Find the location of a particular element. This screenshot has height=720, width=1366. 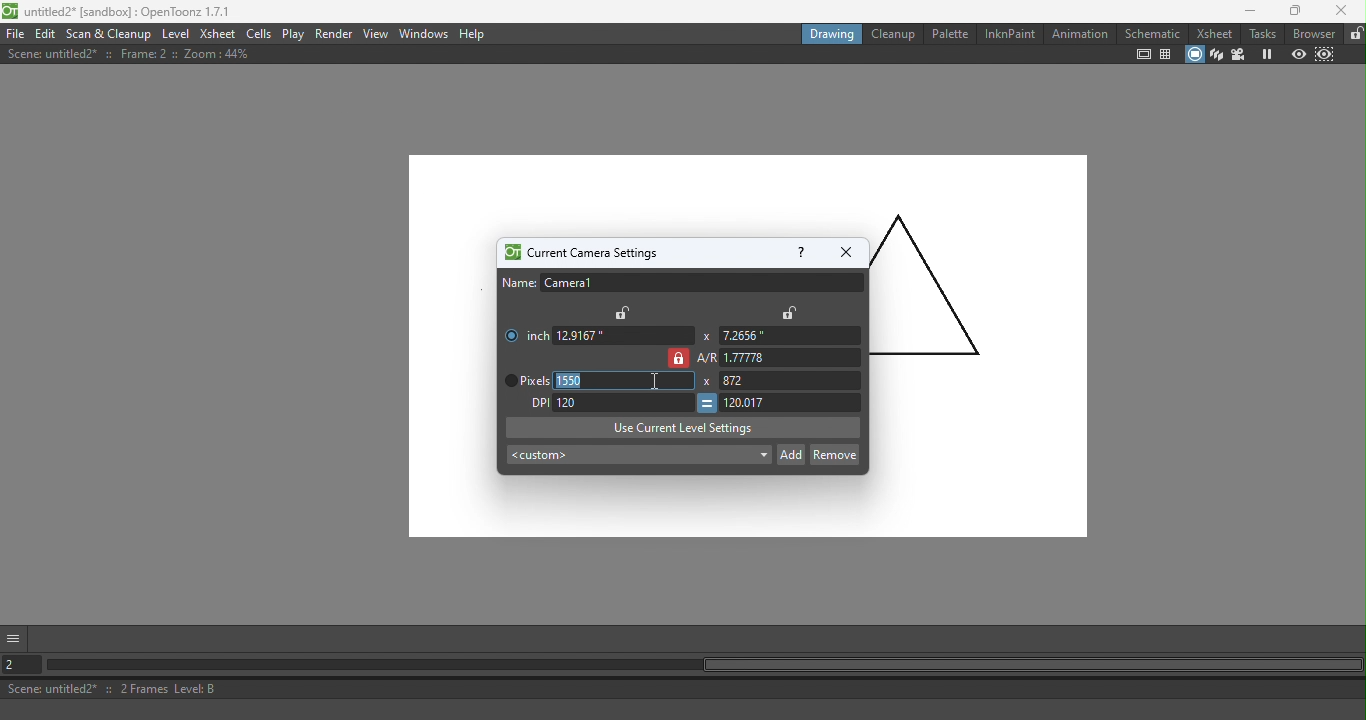

Level is located at coordinates (177, 32).